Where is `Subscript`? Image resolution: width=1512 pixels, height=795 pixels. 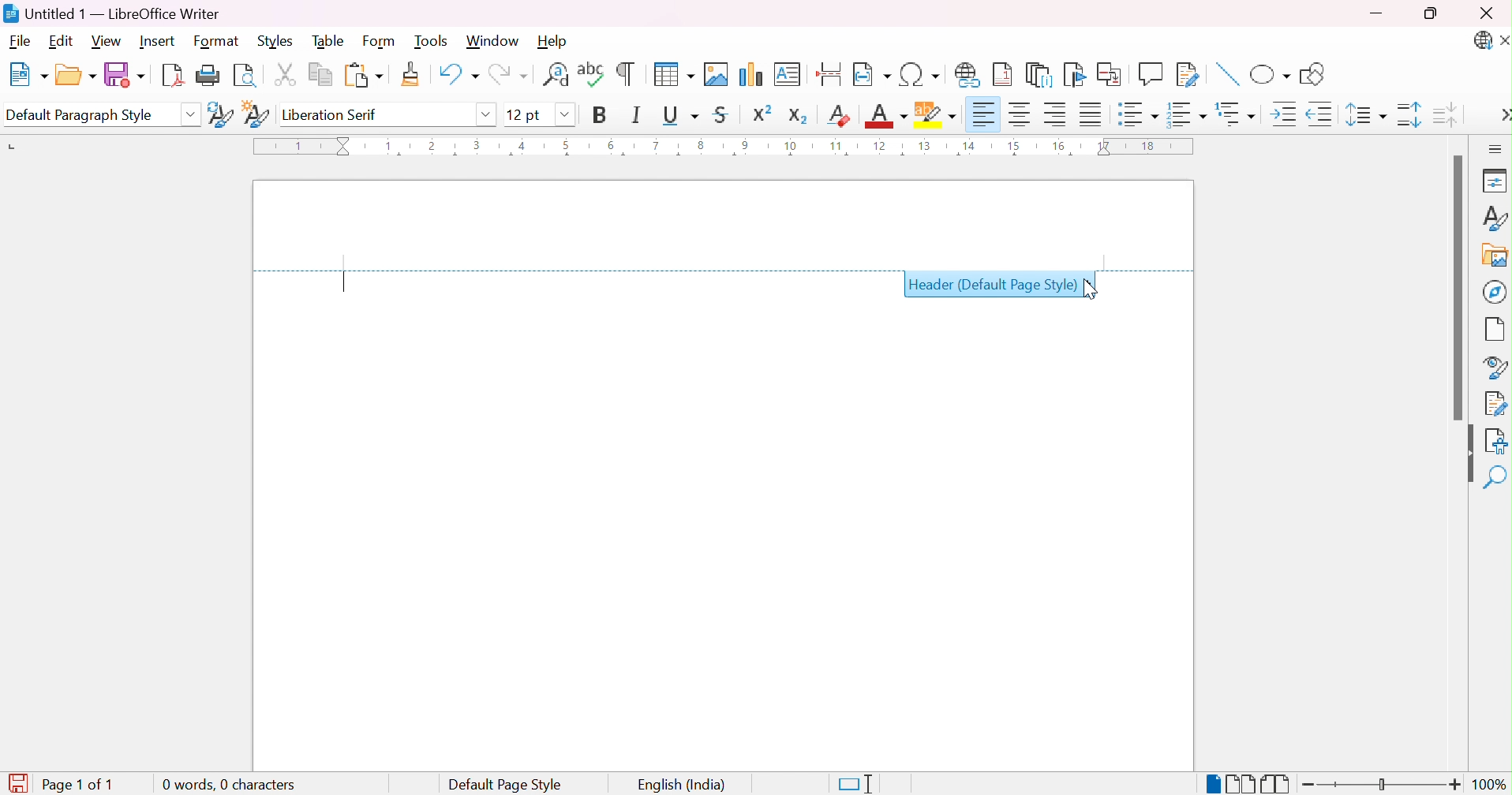 Subscript is located at coordinates (799, 118).